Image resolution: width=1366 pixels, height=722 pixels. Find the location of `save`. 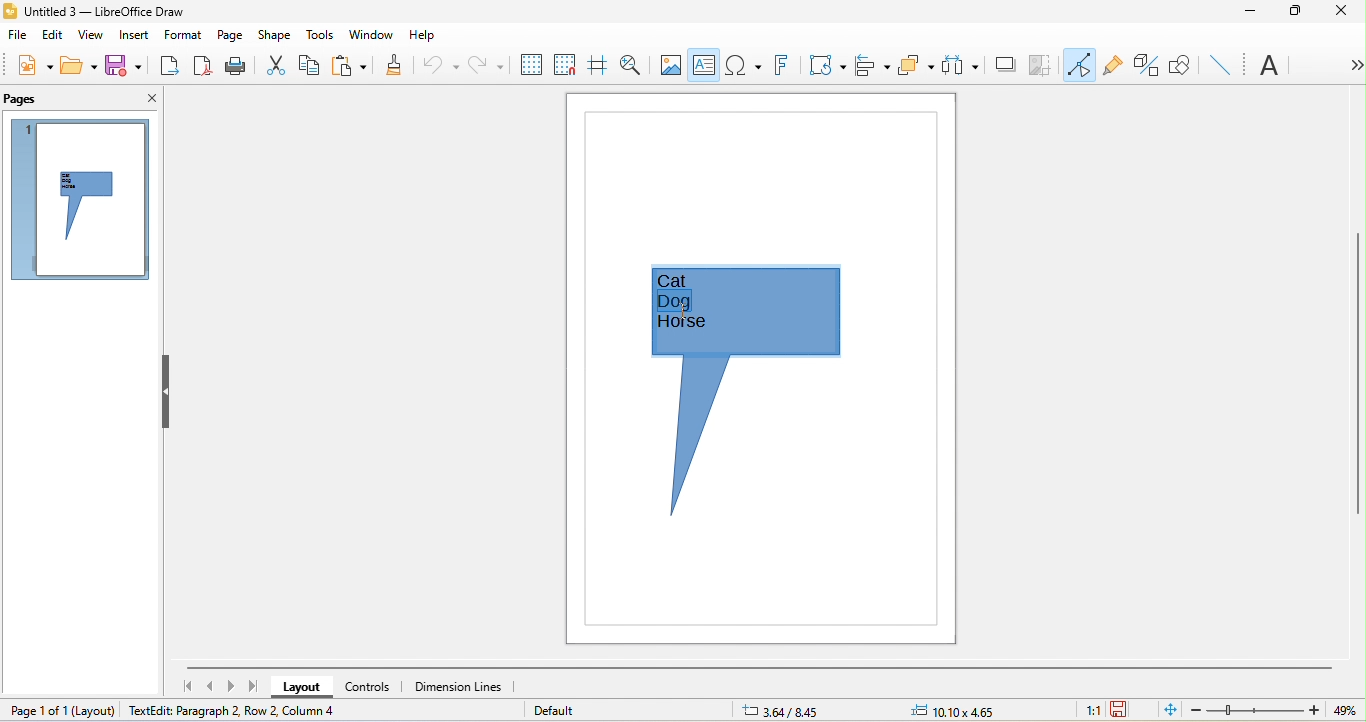

save is located at coordinates (123, 66).